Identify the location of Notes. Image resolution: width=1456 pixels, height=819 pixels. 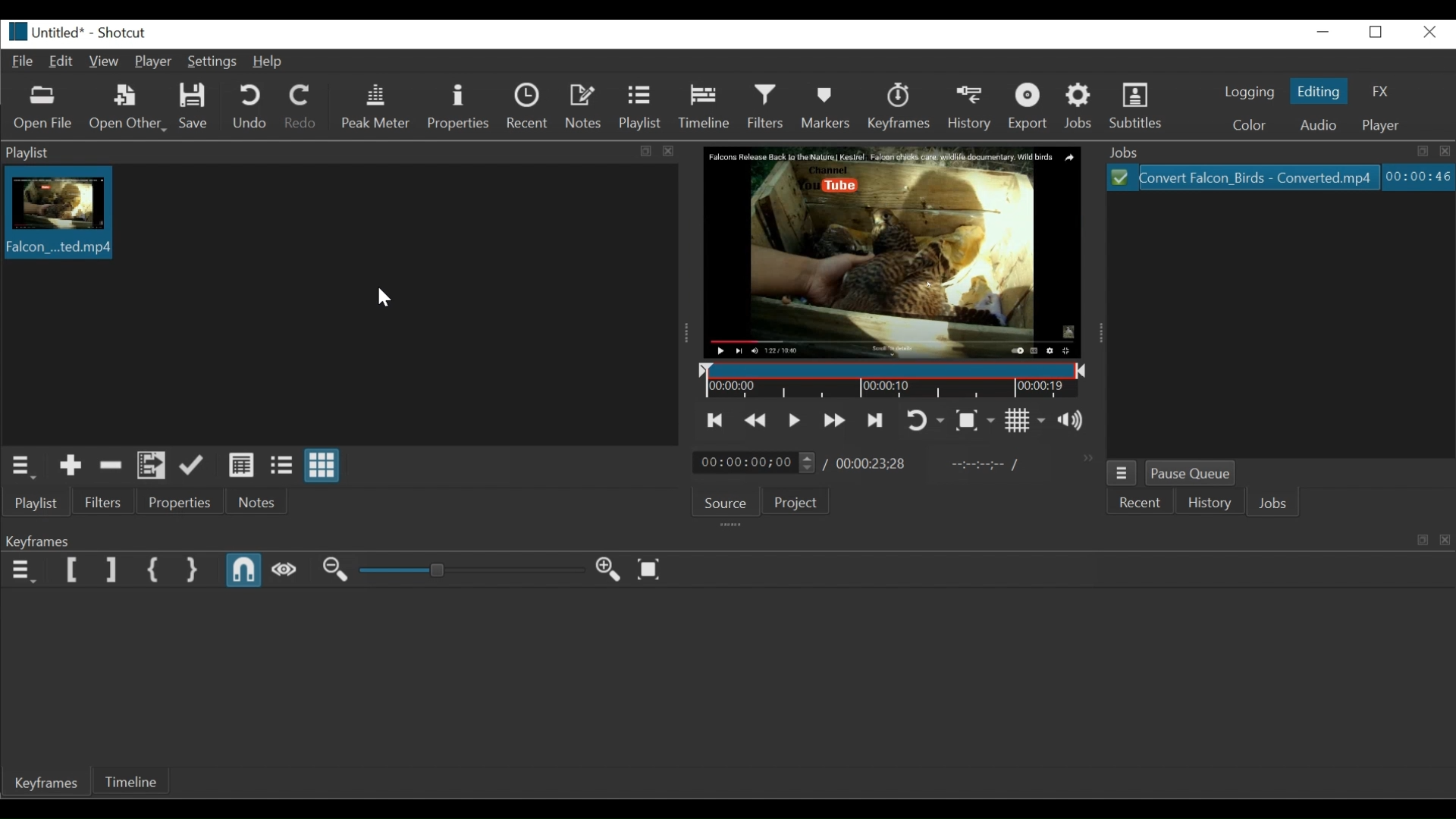
(583, 106).